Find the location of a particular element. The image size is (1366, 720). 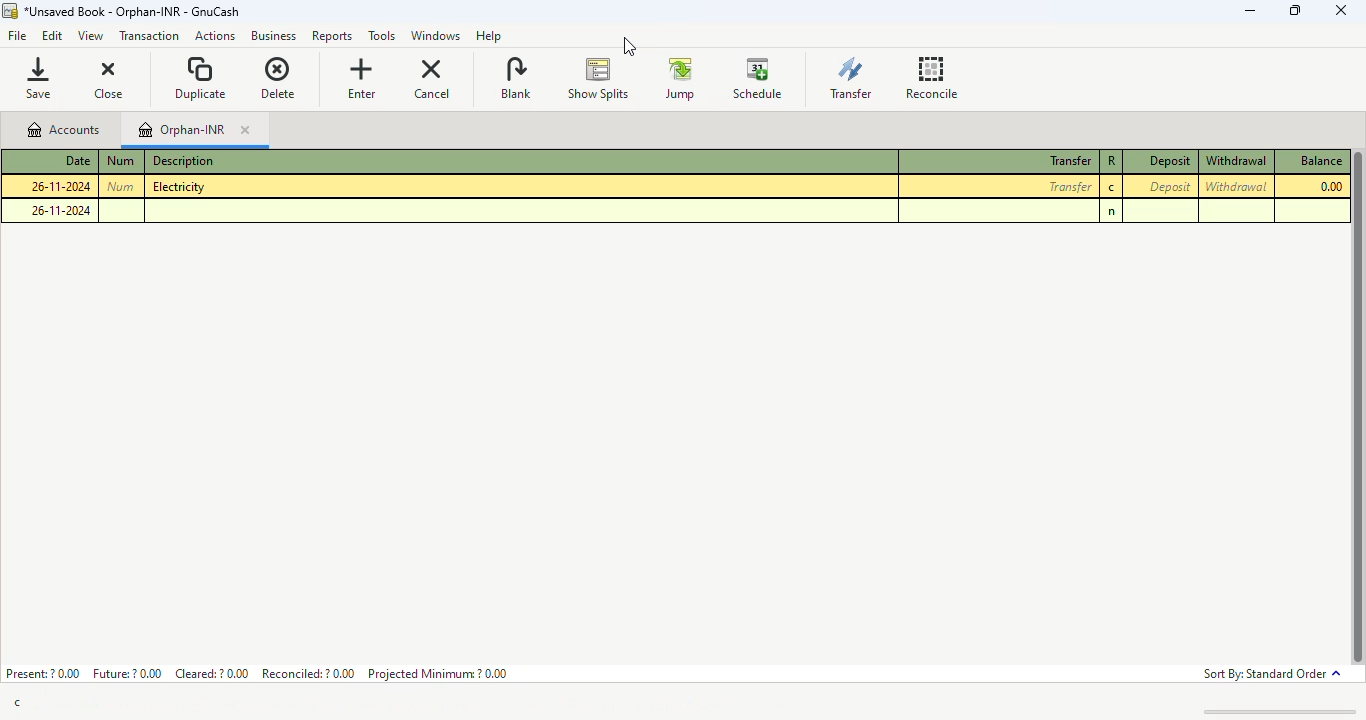

cleared: ? 0.00 is located at coordinates (213, 672).